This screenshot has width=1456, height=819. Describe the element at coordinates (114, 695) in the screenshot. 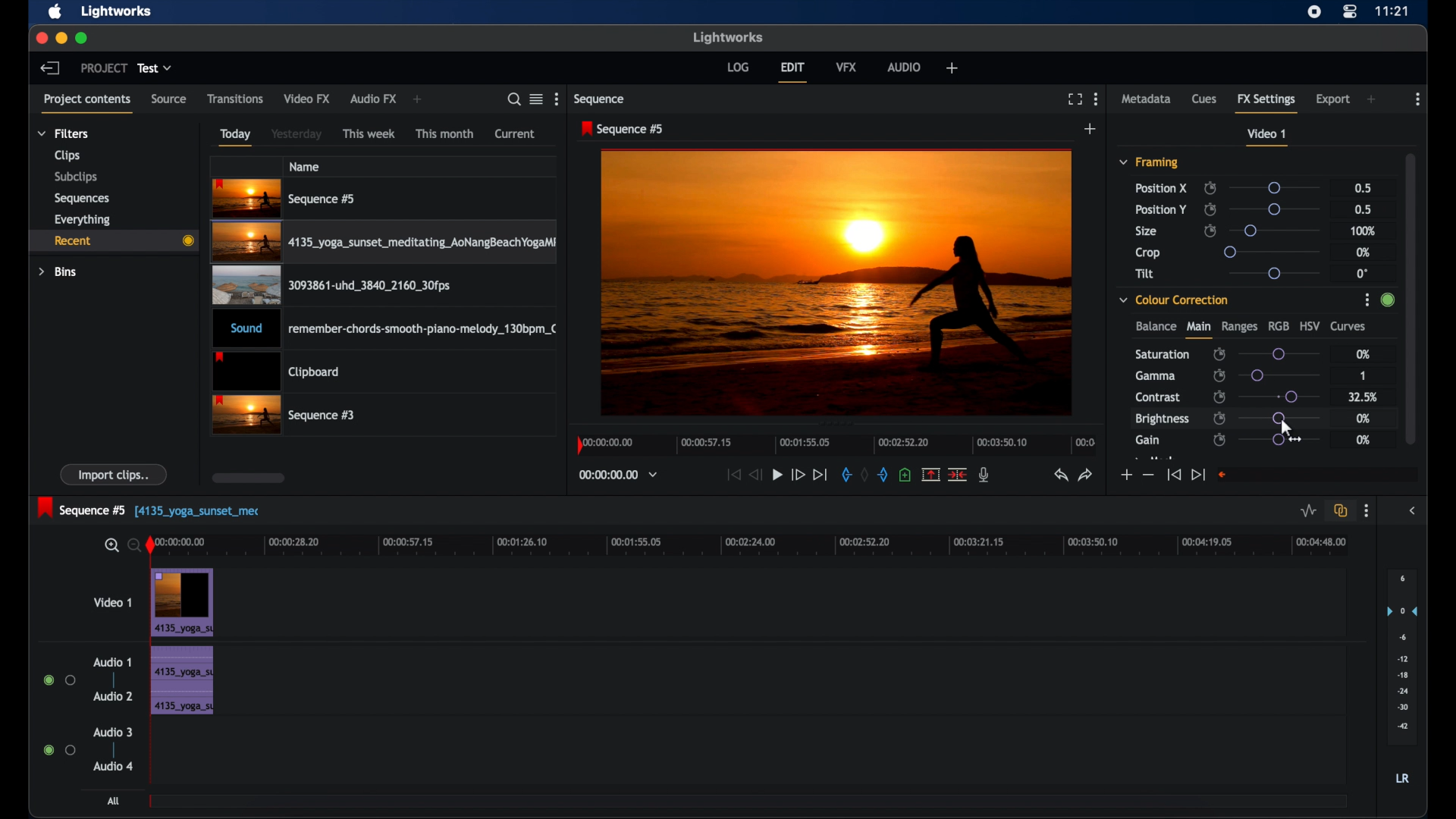

I see `audio 2` at that location.